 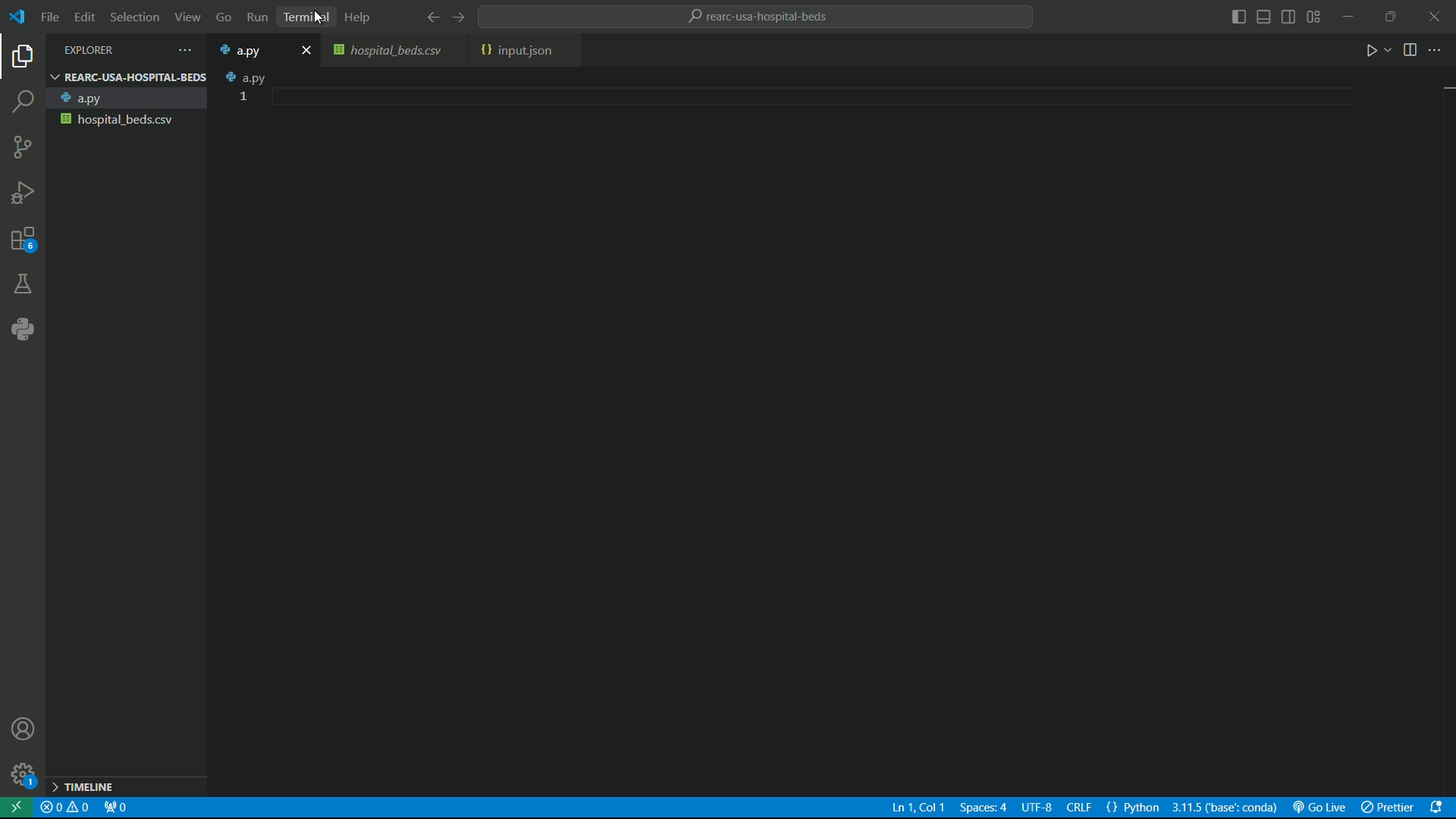 What do you see at coordinates (1376, 52) in the screenshot?
I see `run` at bounding box center [1376, 52].